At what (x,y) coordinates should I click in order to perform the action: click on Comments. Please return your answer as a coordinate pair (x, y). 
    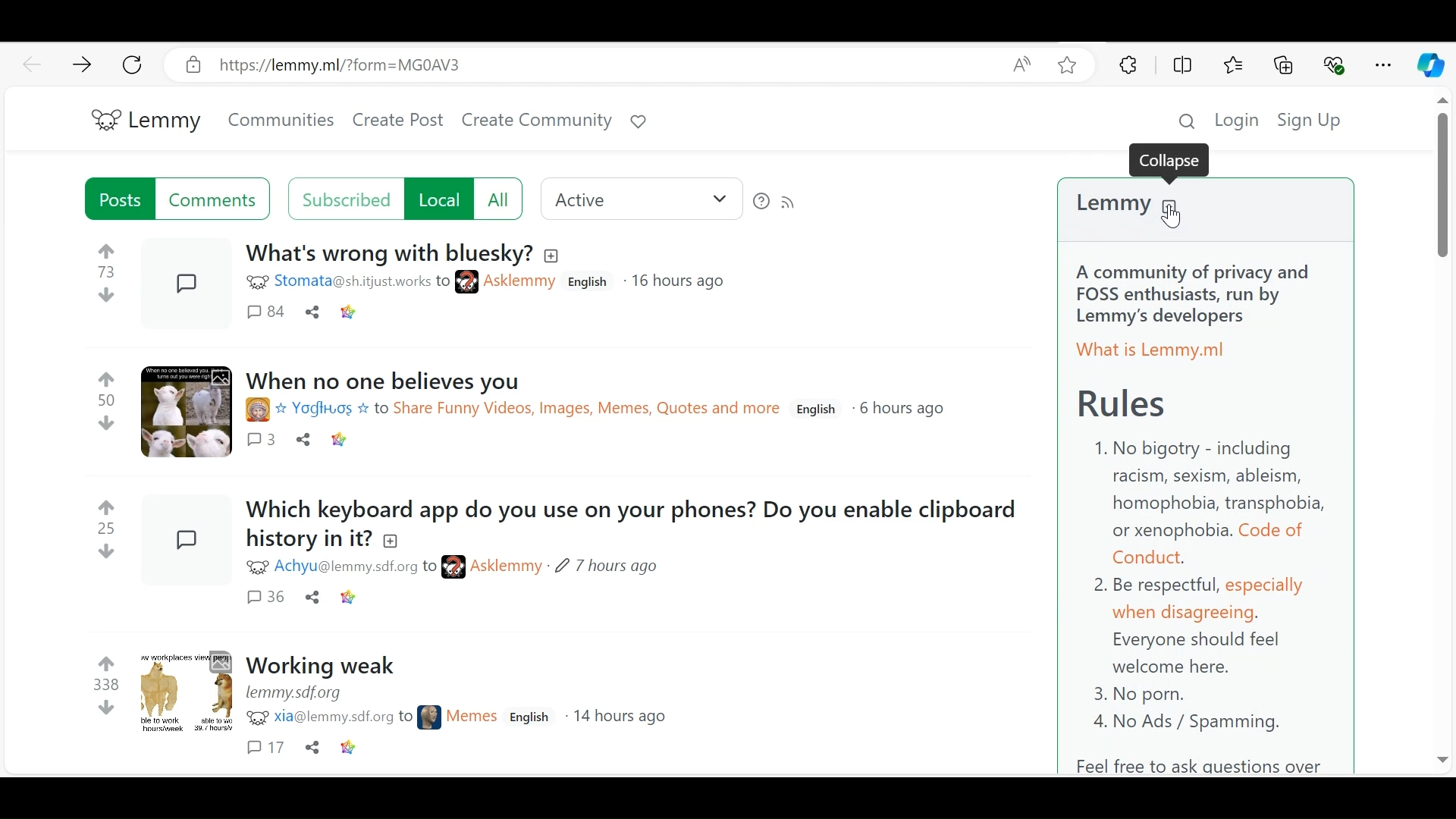
    Looking at the image, I should click on (216, 199).